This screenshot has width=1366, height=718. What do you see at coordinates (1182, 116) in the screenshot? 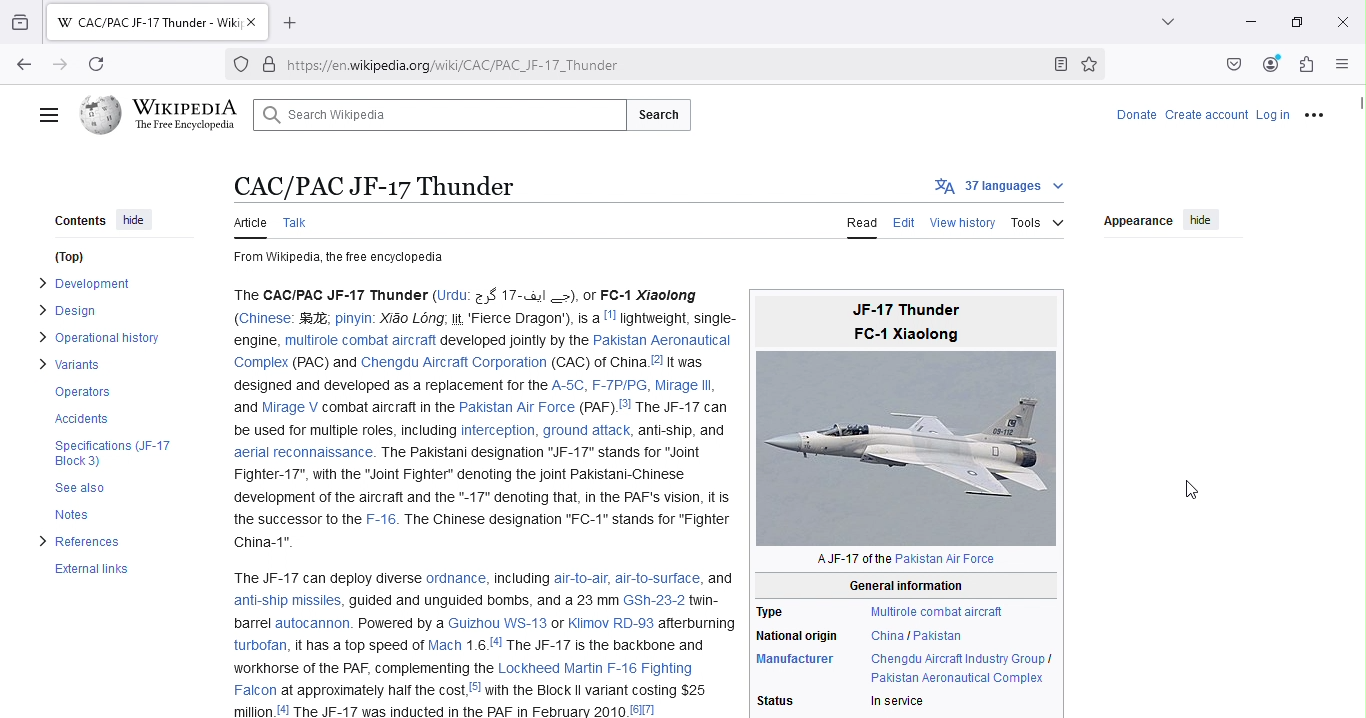
I see `create` at bounding box center [1182, 116].